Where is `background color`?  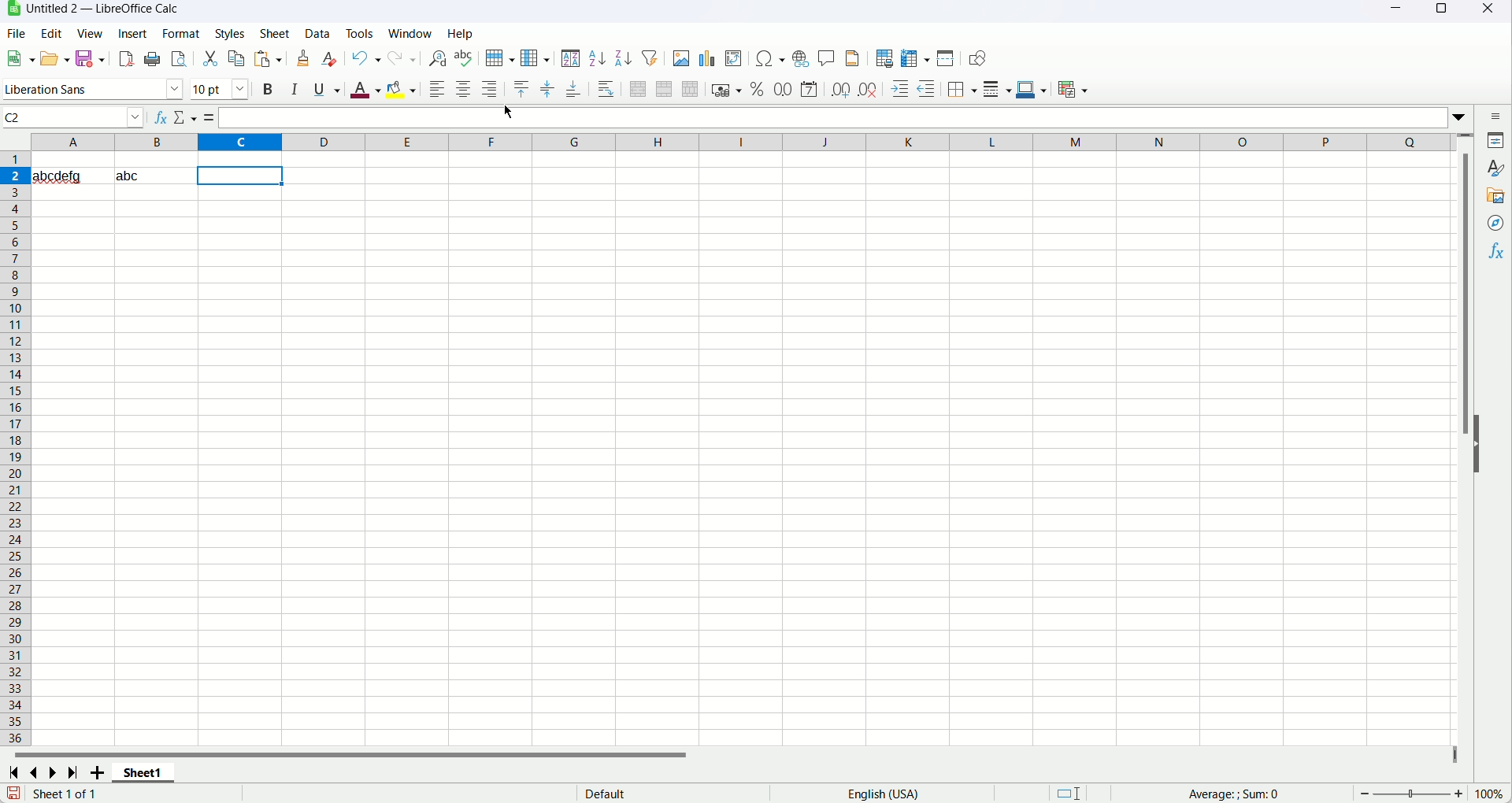 background color is located at coordinates (402, 89).